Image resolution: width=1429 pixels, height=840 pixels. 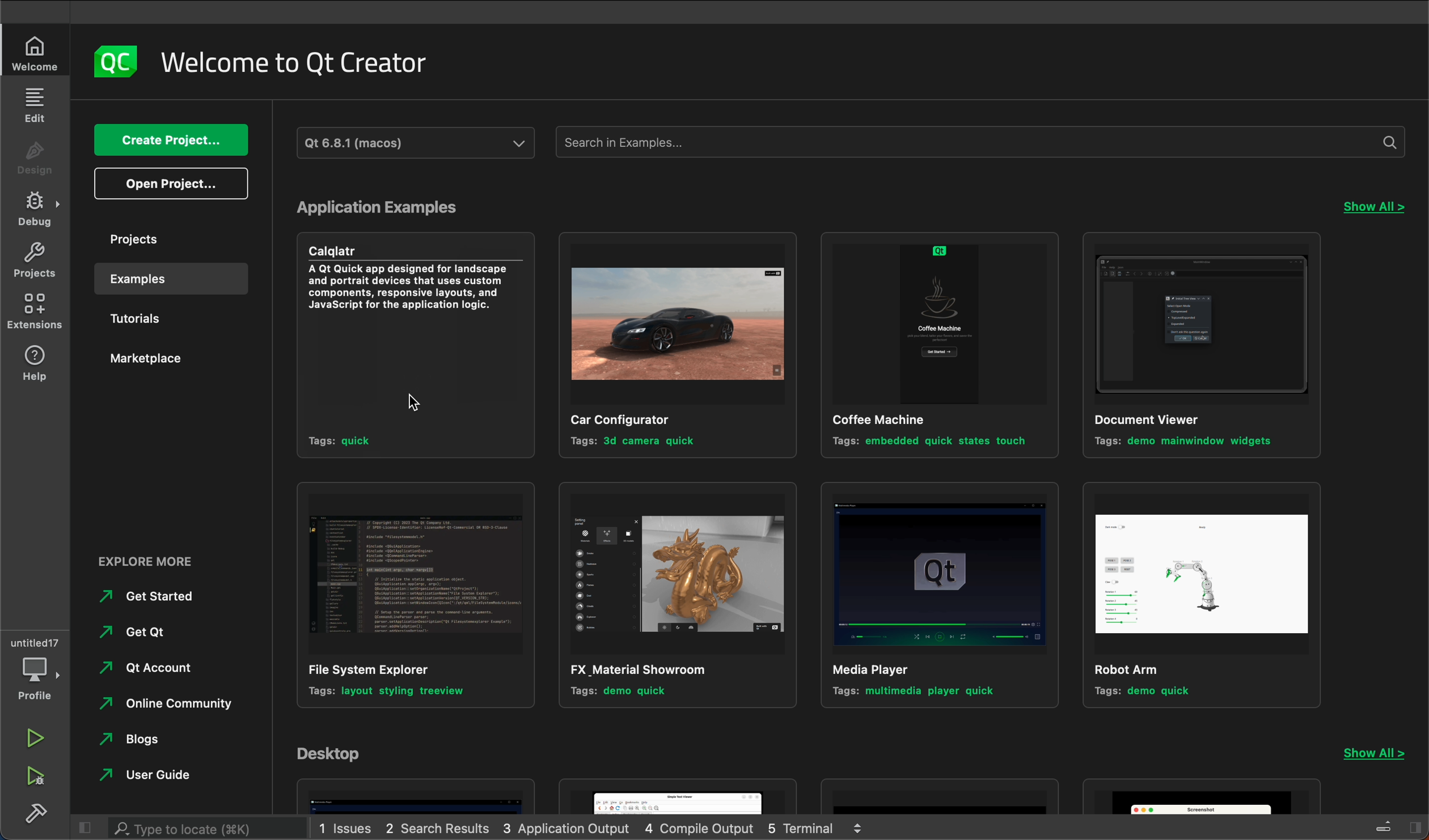 What do you see at coordinates (1382, 755) in the screenshot?
I see `show all` at bounding box center [1382, 755].